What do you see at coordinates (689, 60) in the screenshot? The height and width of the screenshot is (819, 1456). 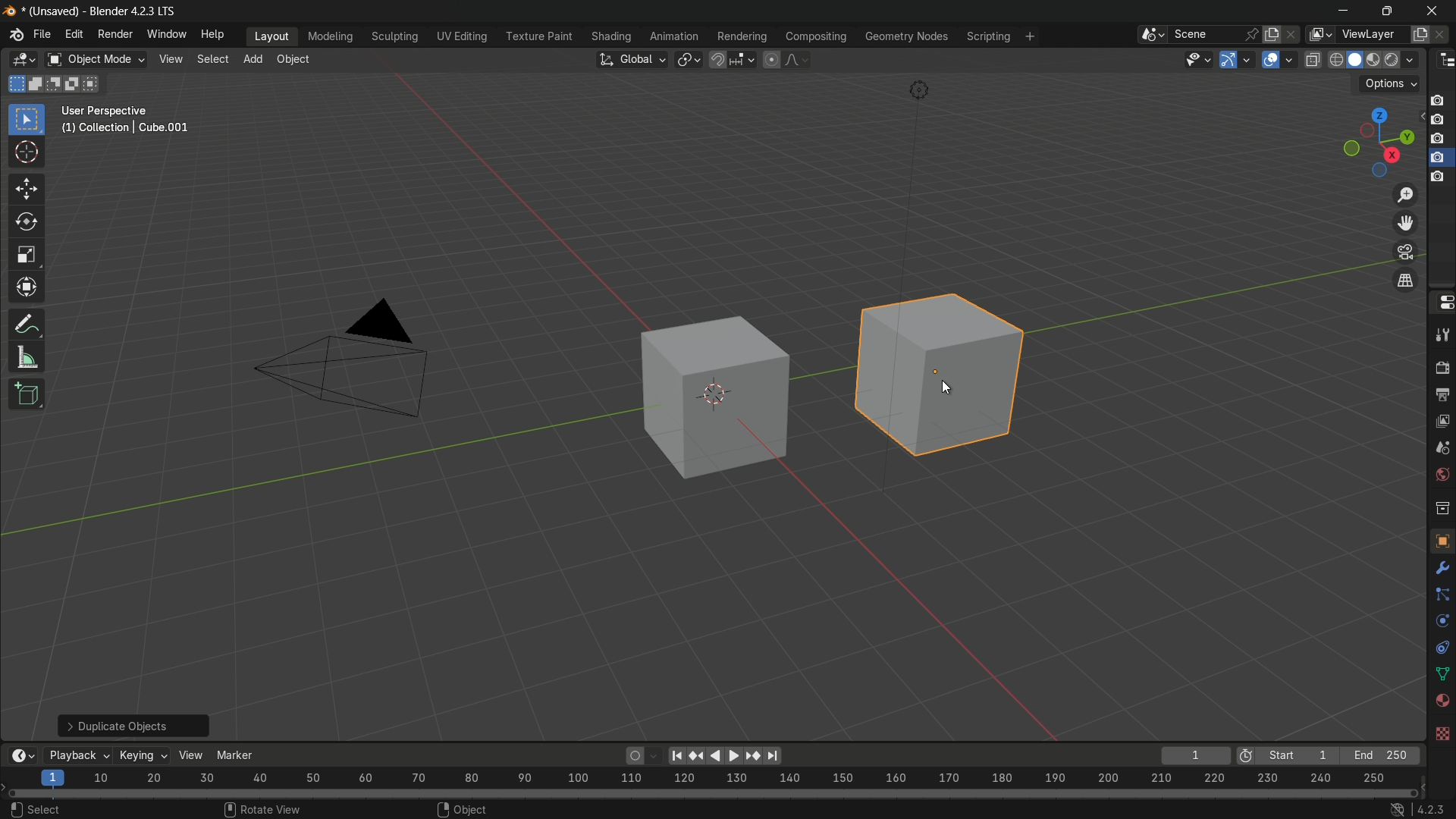 I see `transform pivot point` at bounding box center [689, 60].